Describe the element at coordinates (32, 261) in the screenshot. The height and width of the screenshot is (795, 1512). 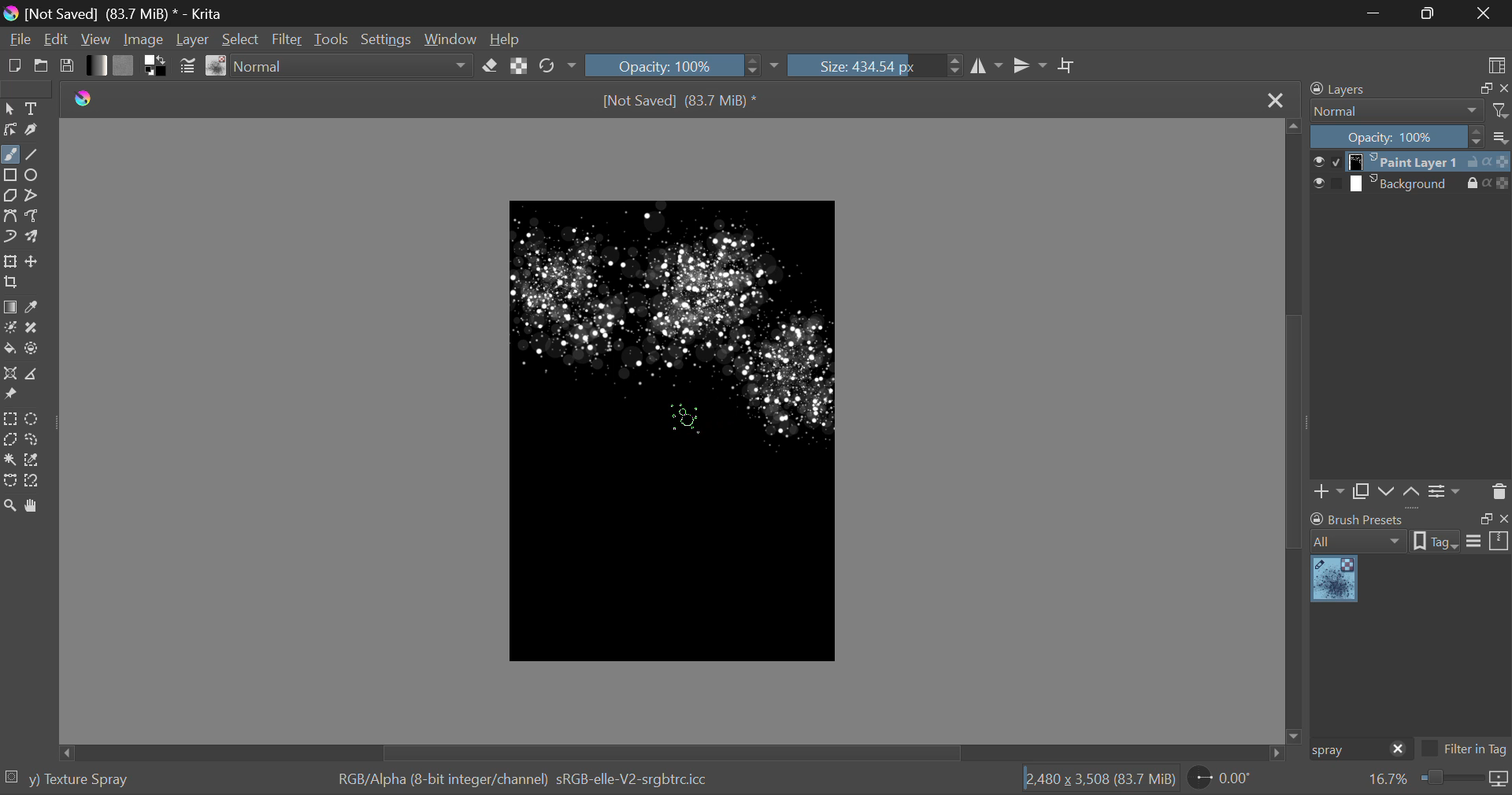
I see `Move Layer` at that location.